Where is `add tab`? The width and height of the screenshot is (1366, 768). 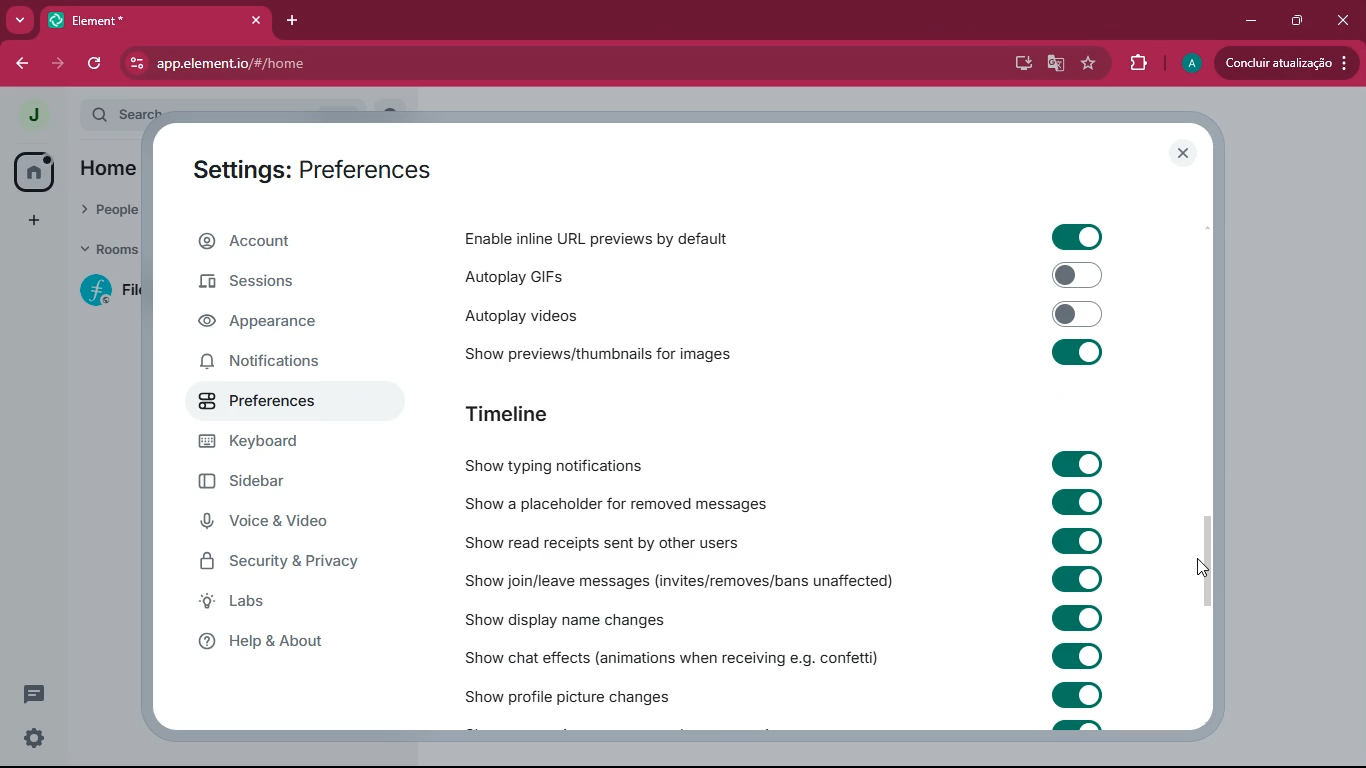
add tab is located at coordinates (294, 20).